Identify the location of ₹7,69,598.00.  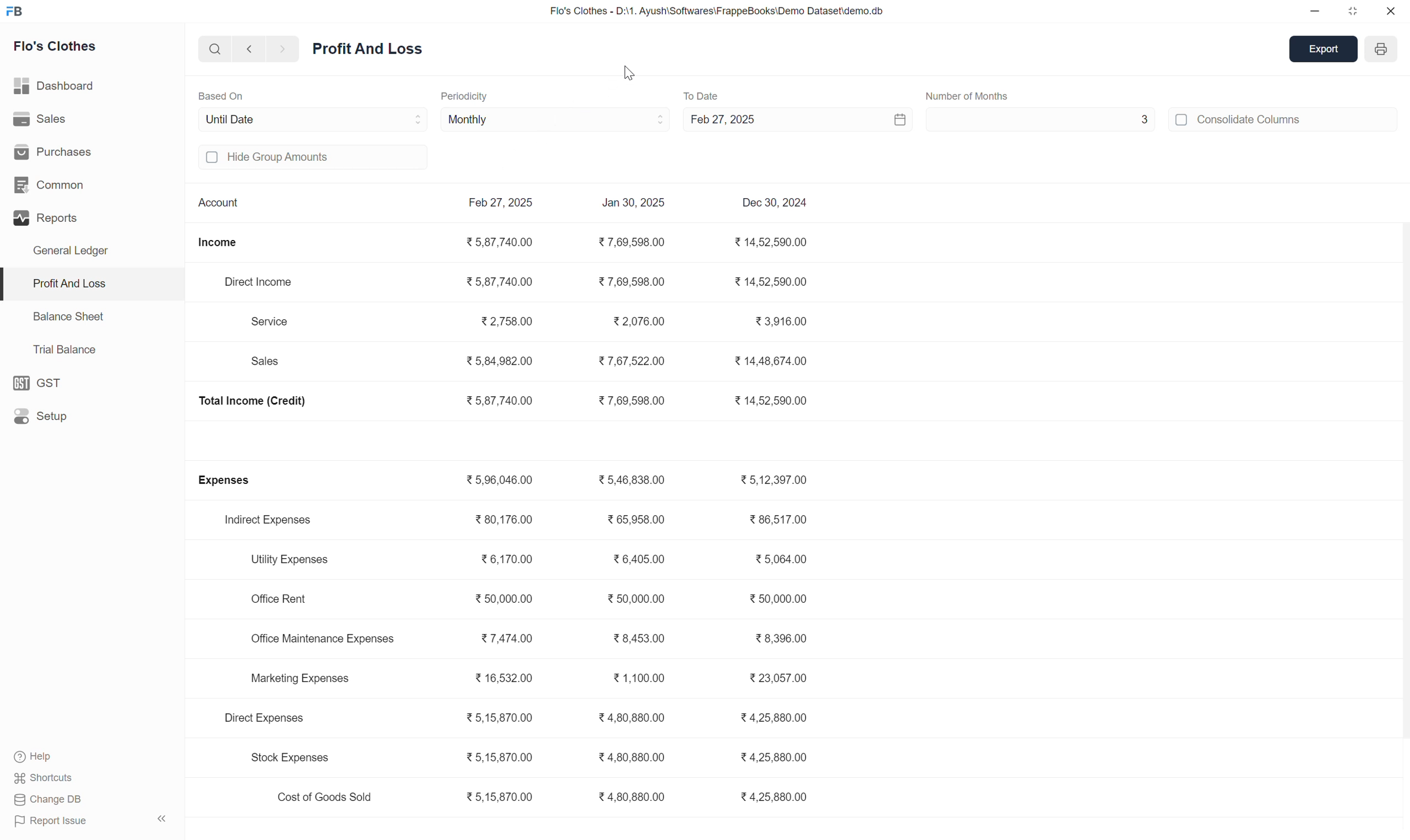
(631, 244).